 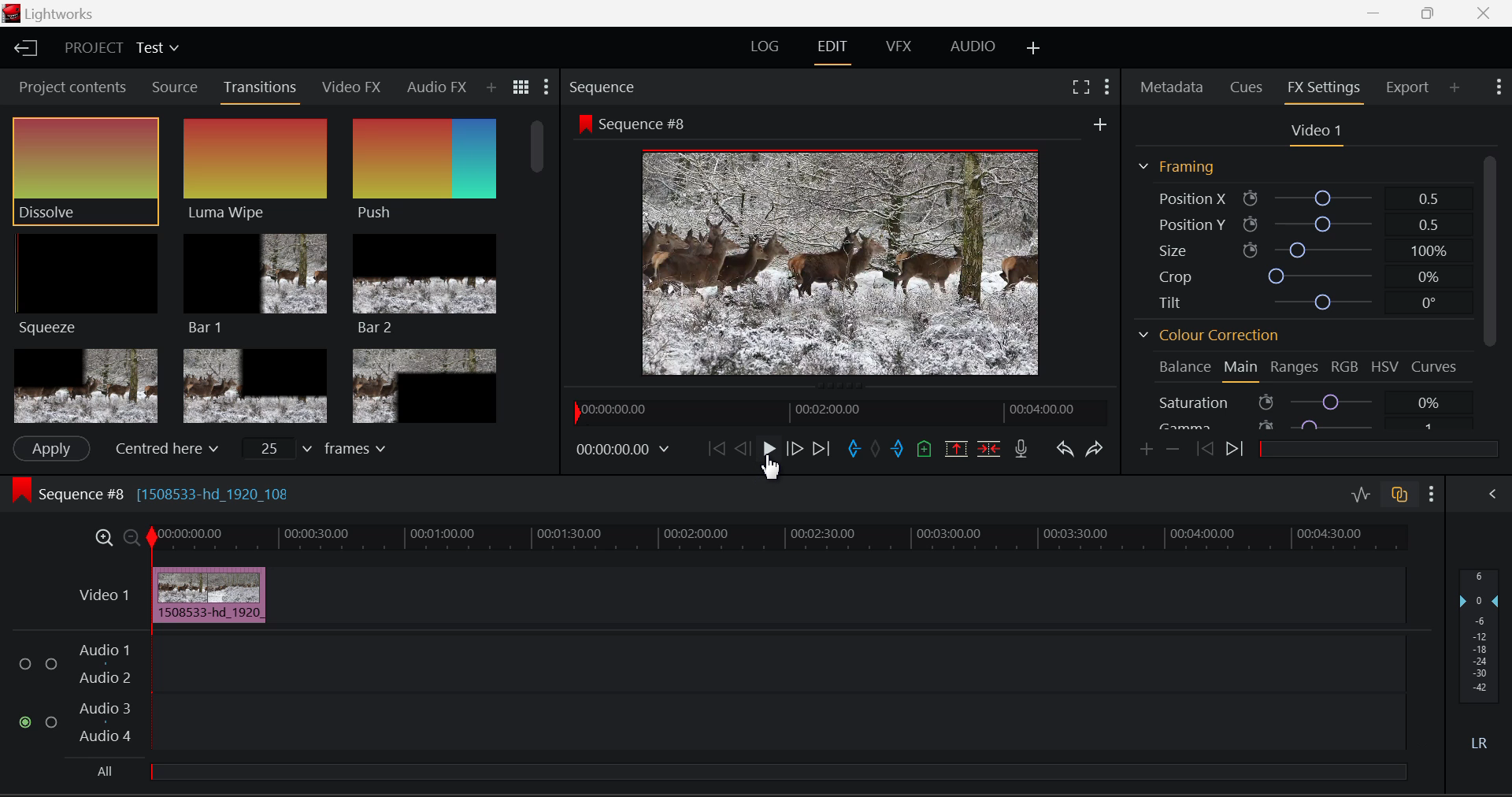 What do you see at coordinates (622, 449) in the screenshot?
I see `Frame Time` at bounding box center [622, 449].